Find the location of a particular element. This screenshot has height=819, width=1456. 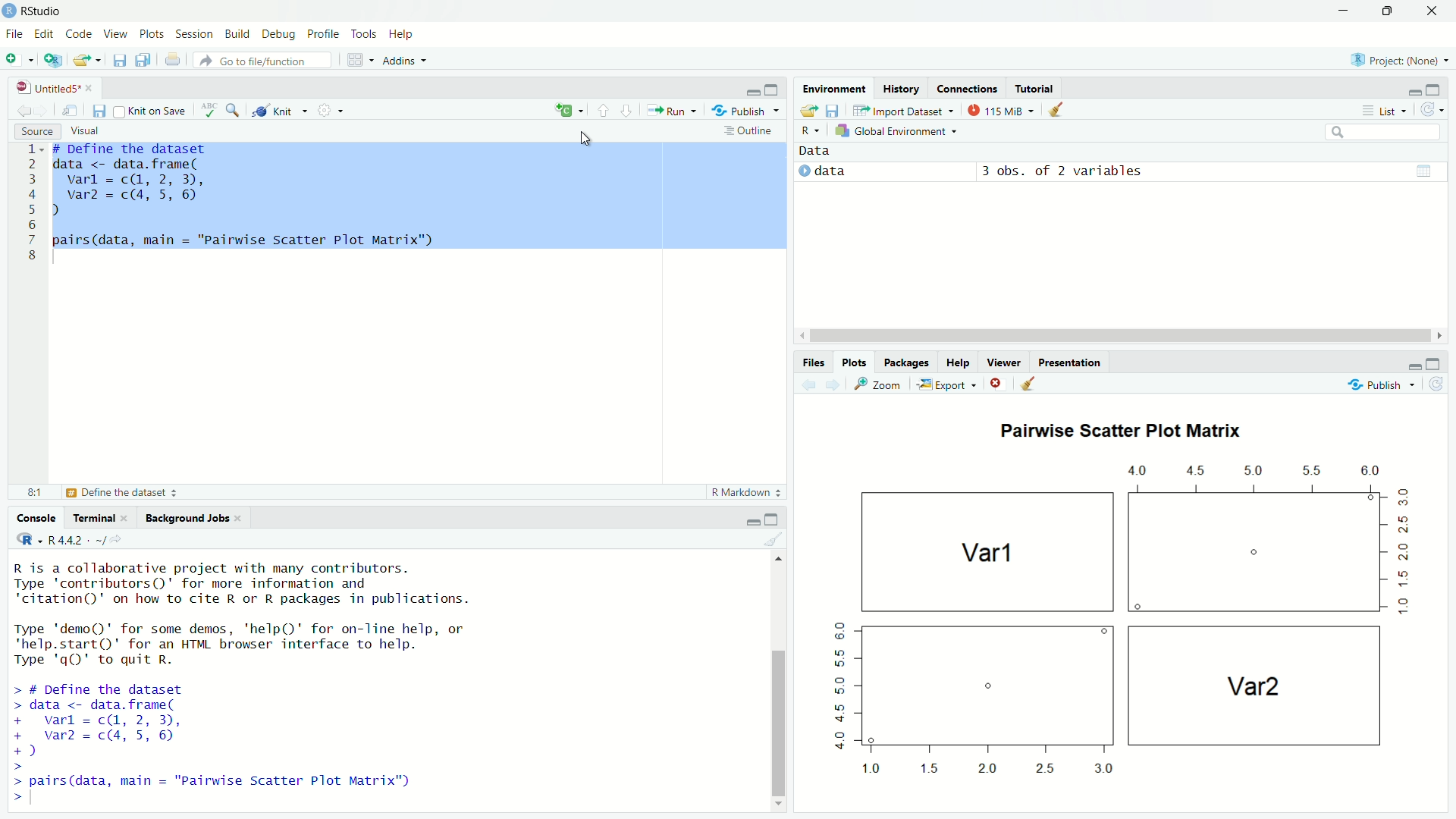

Create a project is located at coordinates (53, 58).